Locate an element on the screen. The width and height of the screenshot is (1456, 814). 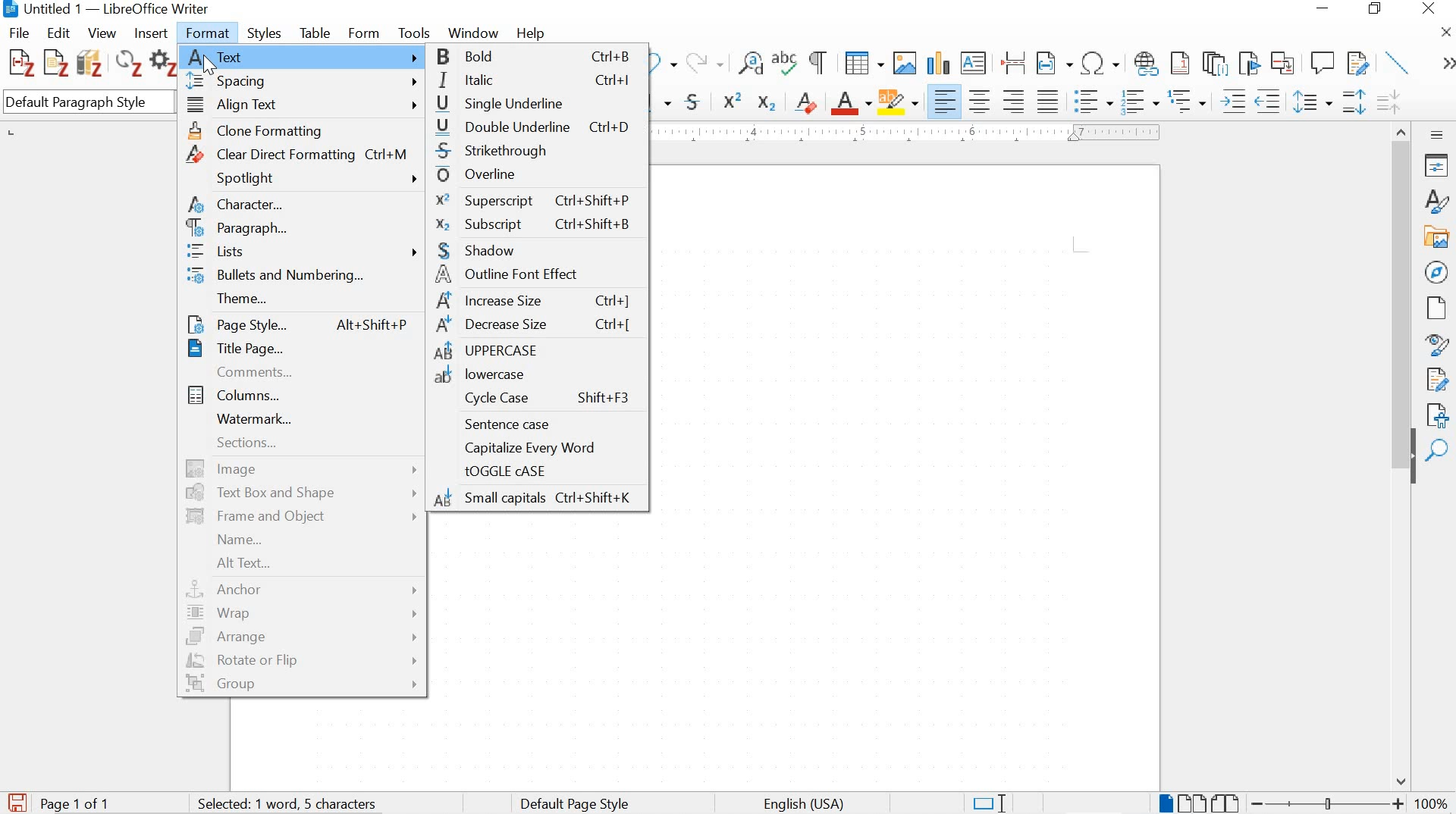
frame and object is located at coordinates (301, 517).